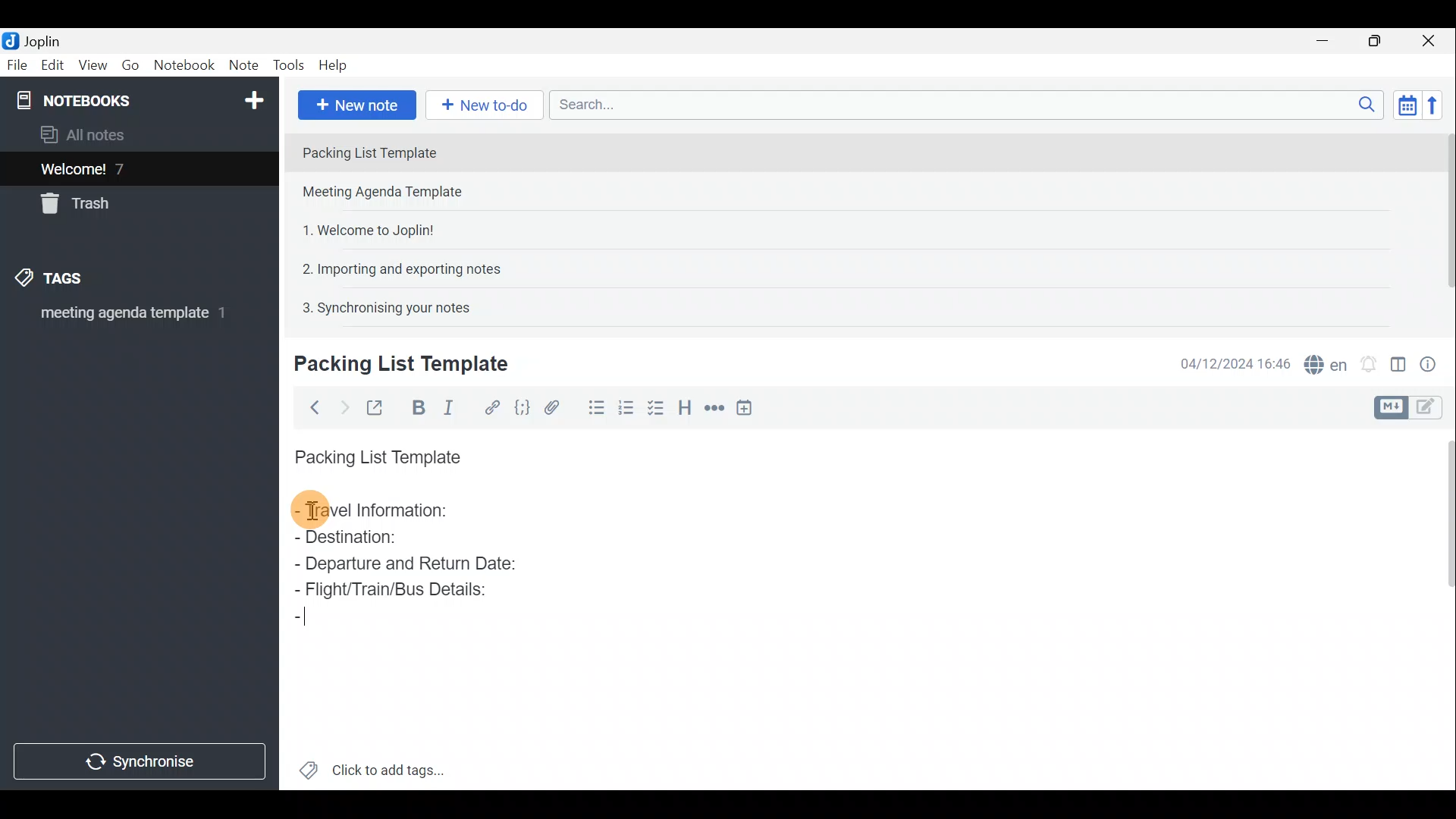 This screenshot has height=819, width=1456. What do you see at coordinates (131, 65) in the screenshot?
I see `Go` at bounding box center [131, 65].